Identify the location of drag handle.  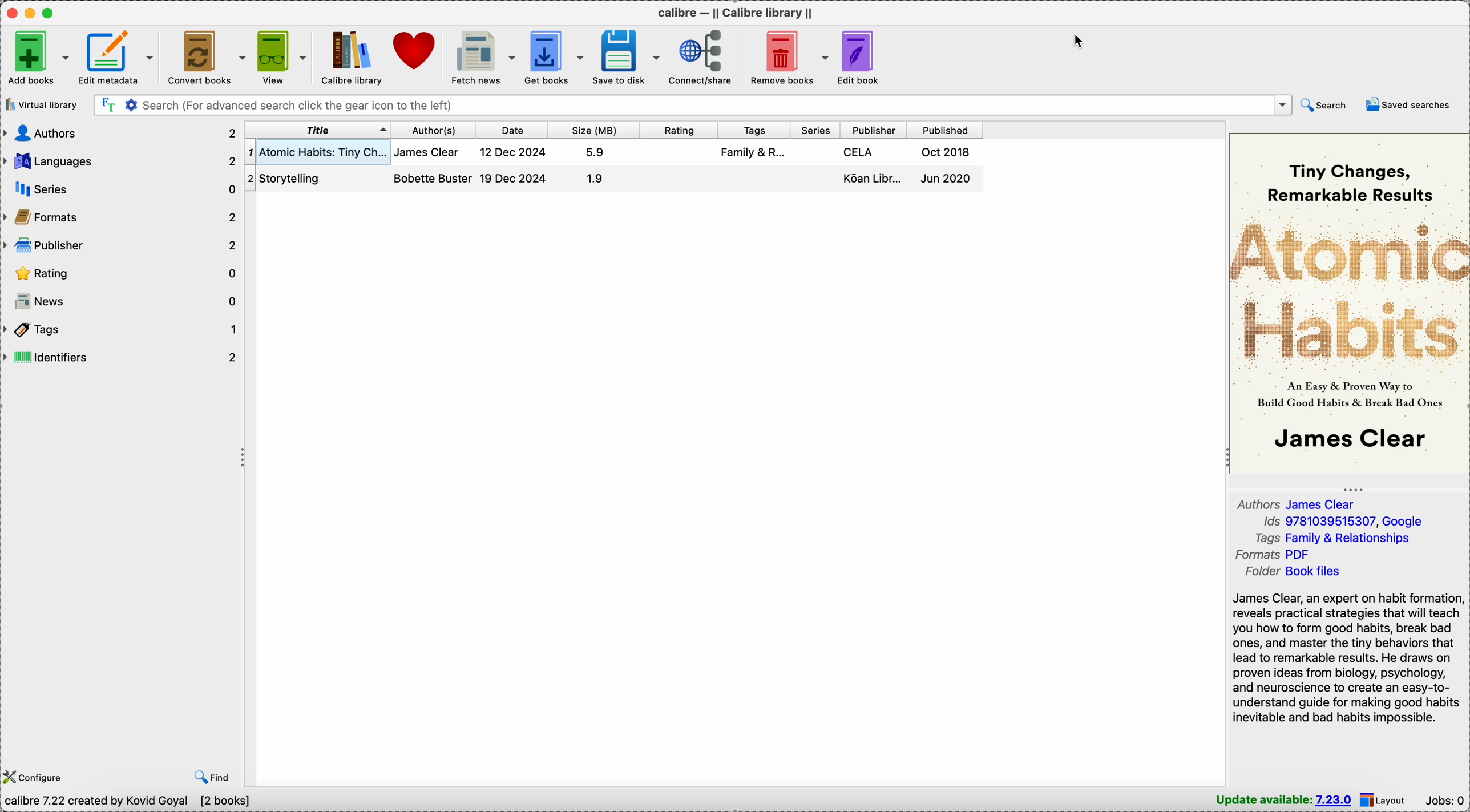
(1355, 489).